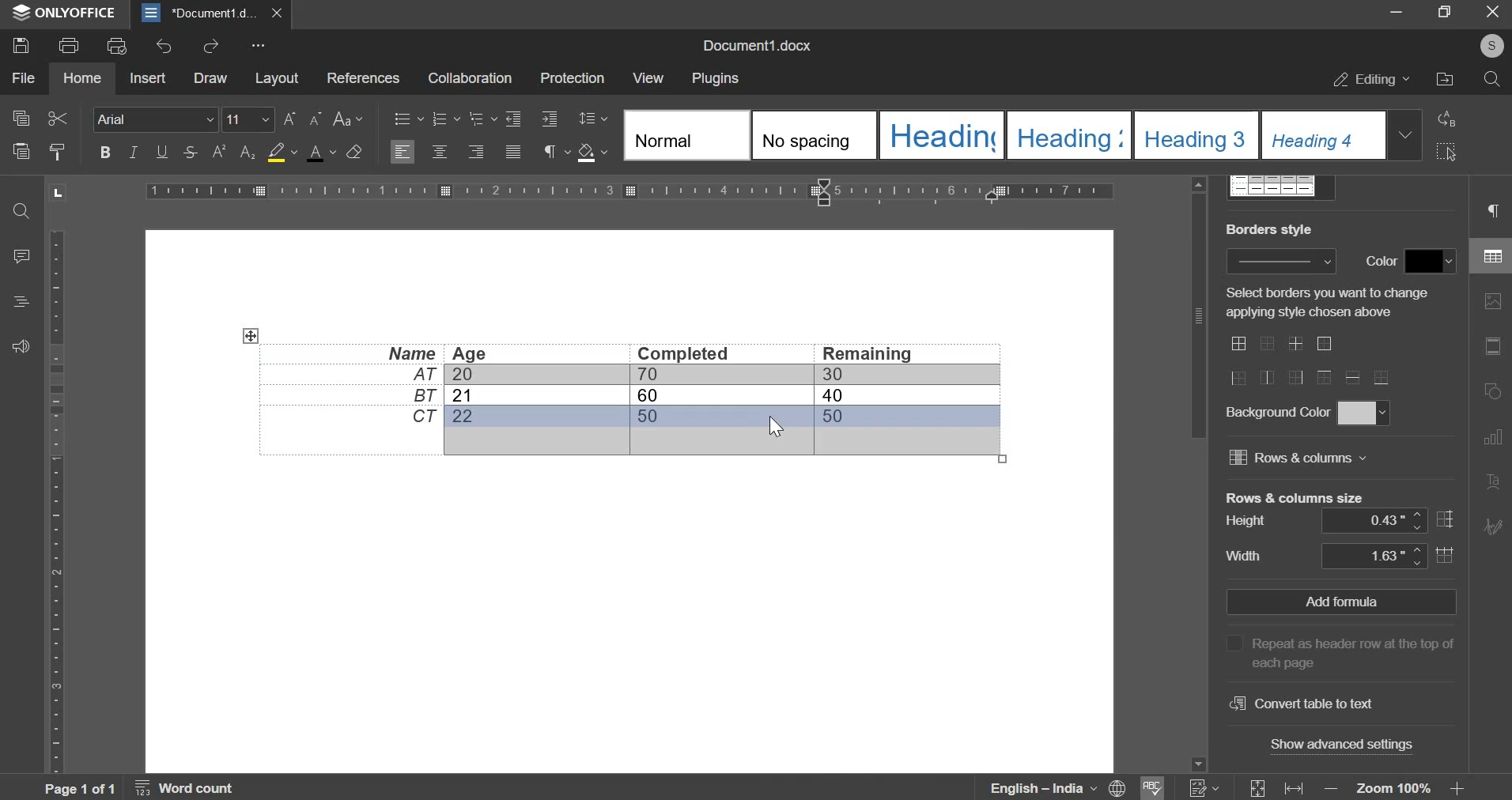 This screenshot has width=1512, height=800. What do you see at coordinates (57, 116) in the screenshot?
I see `cut` at bounding box center [57, 116].